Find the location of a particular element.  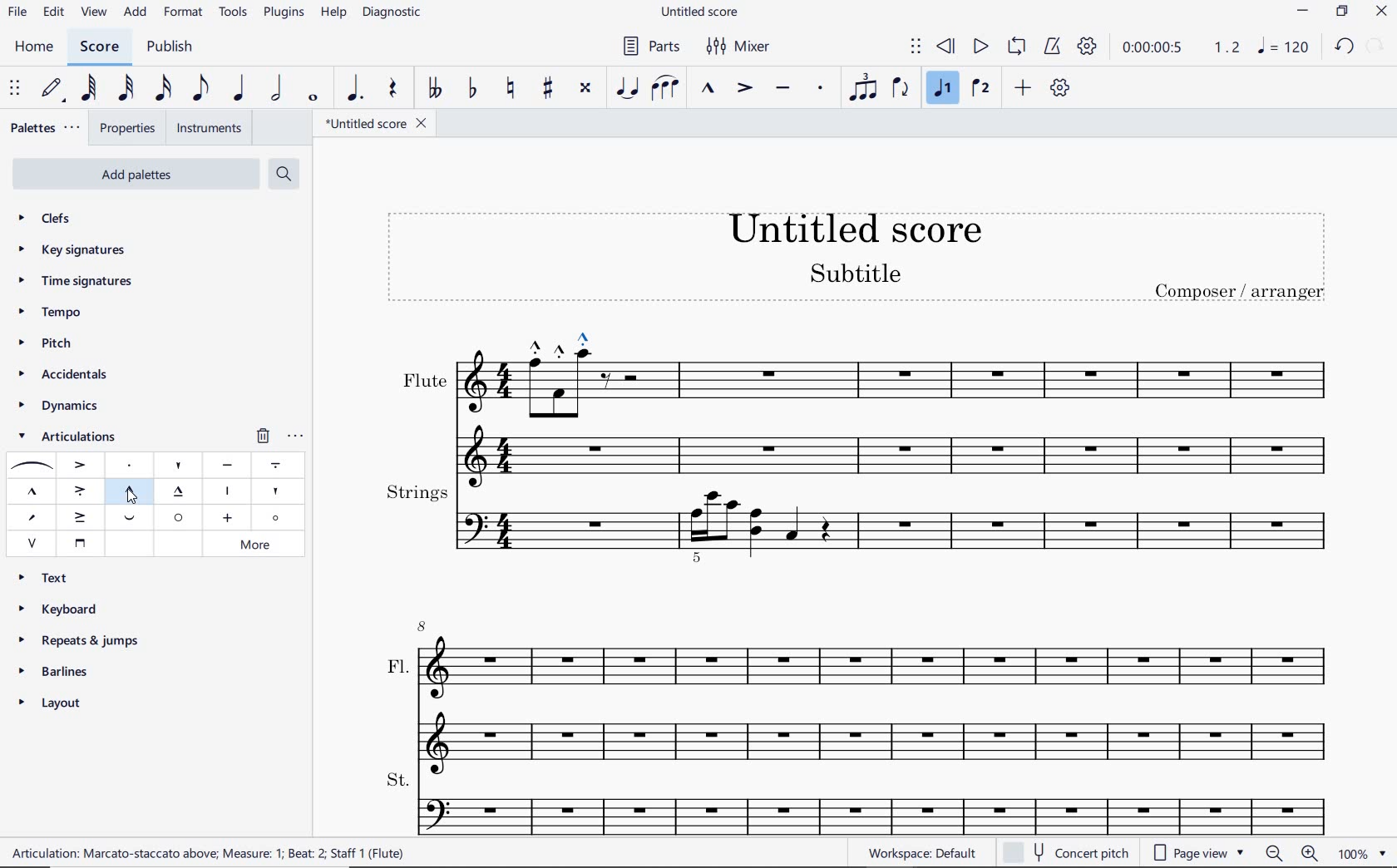

add is located at coordinates (136, 13).